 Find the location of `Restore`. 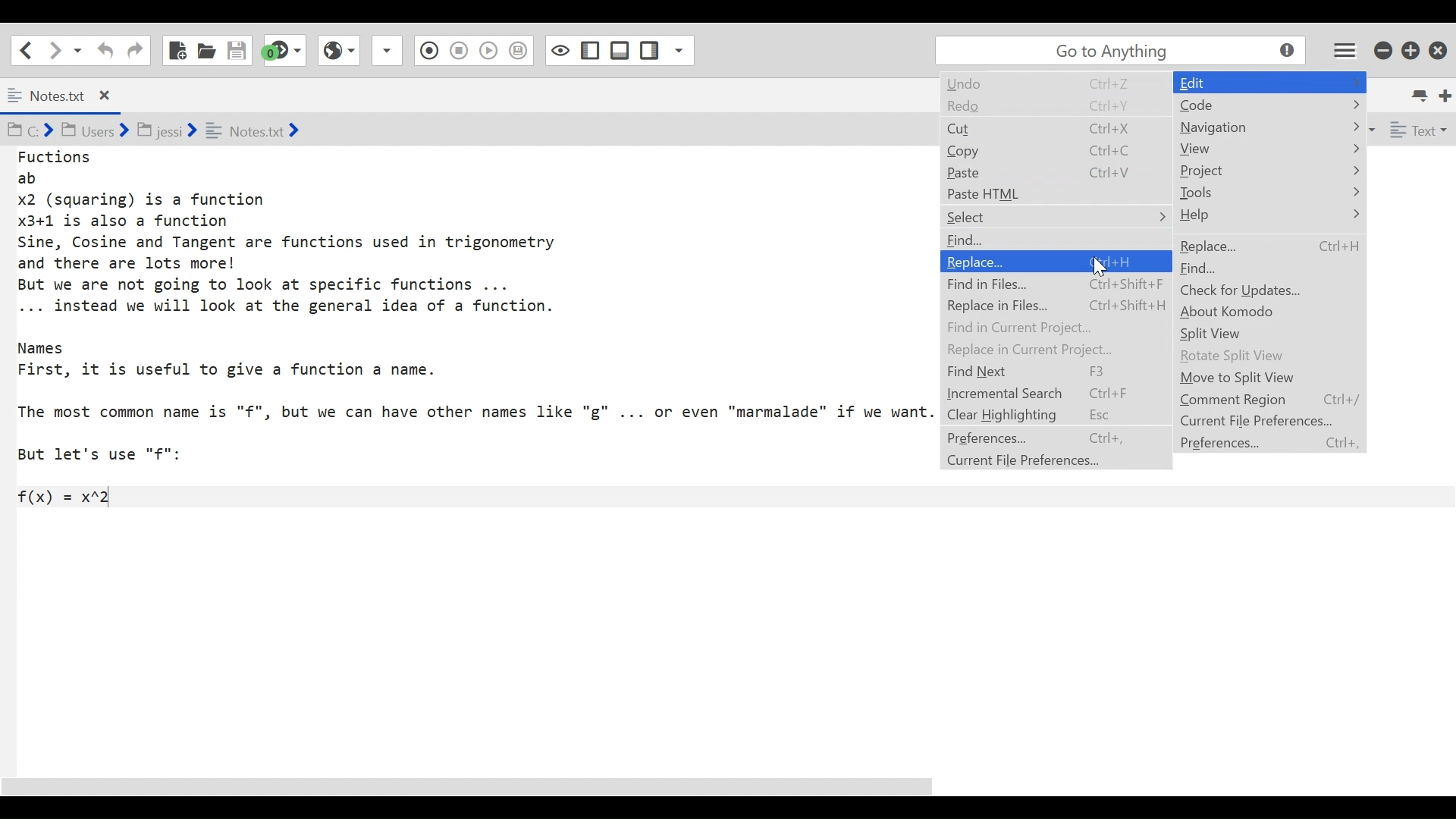

Restore is located at coordinates (1411, 49).